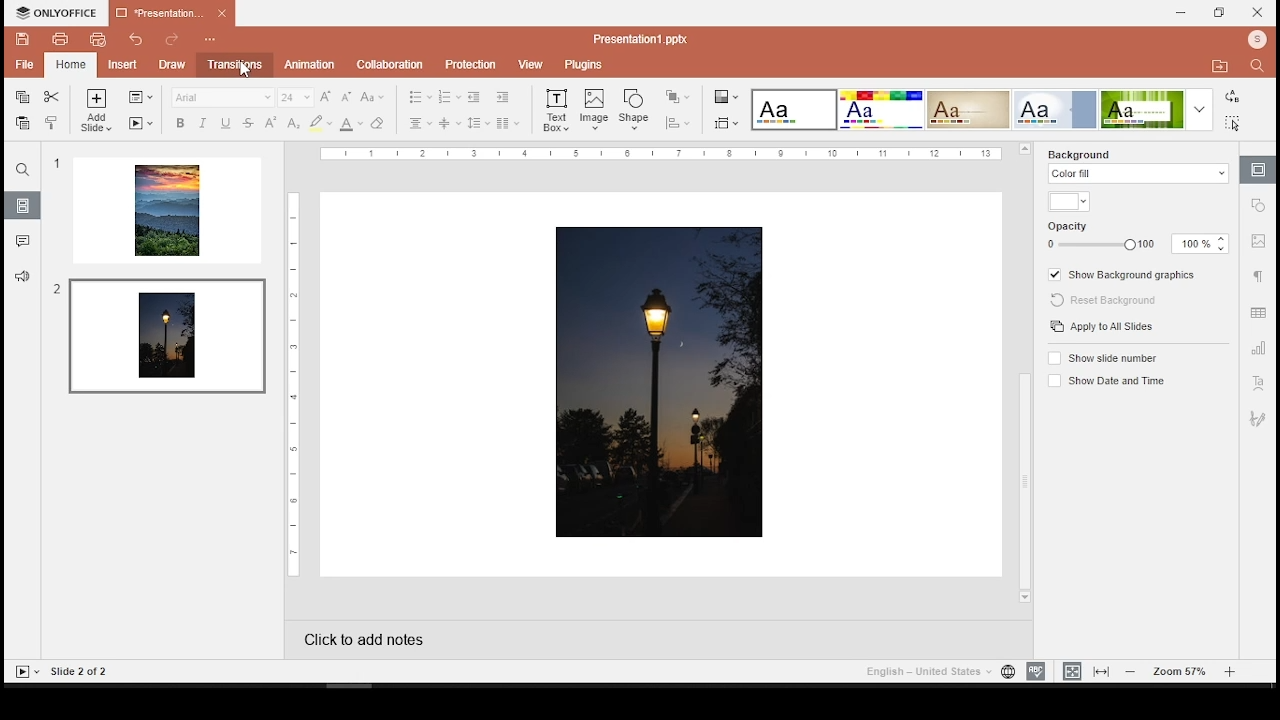  I want to click on fit to width, so click(1102, 672).